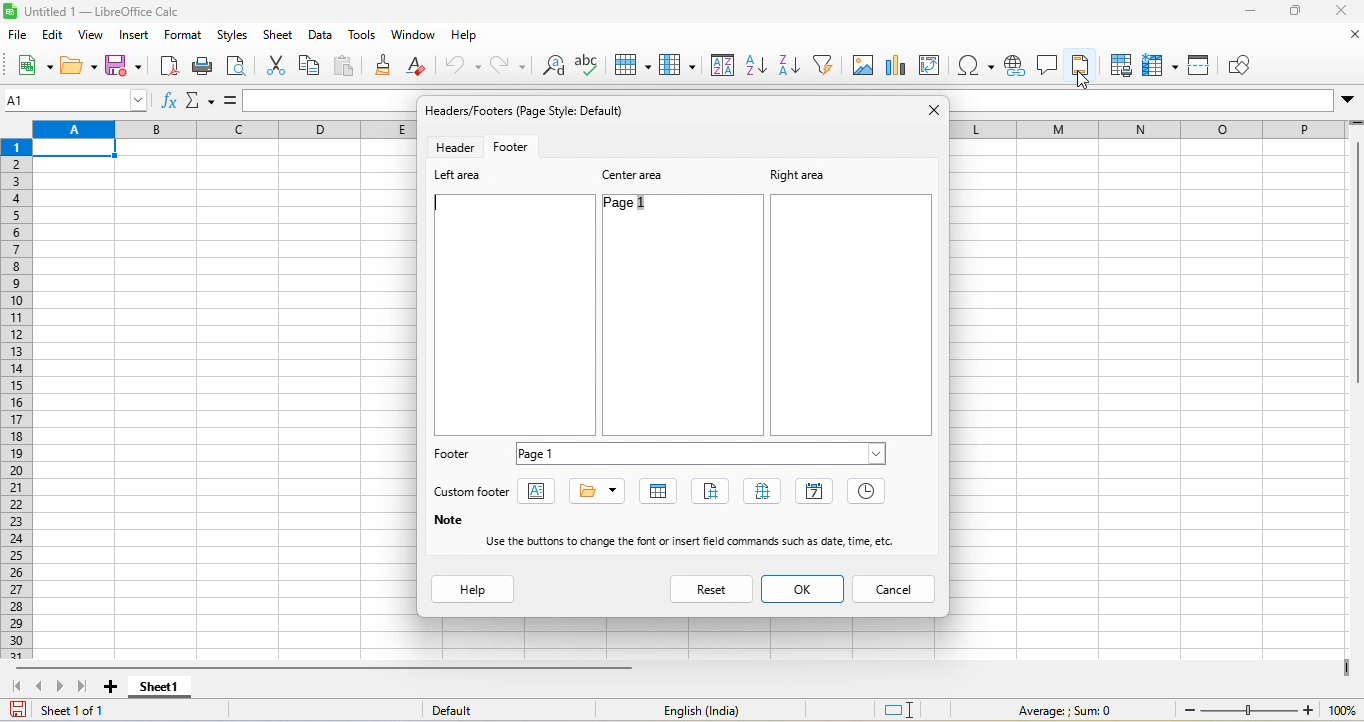 This screenshot has width=1364, height=722. Describe the element at coordinates (279, 37) in the screenshot. I see `sheet` at that location.